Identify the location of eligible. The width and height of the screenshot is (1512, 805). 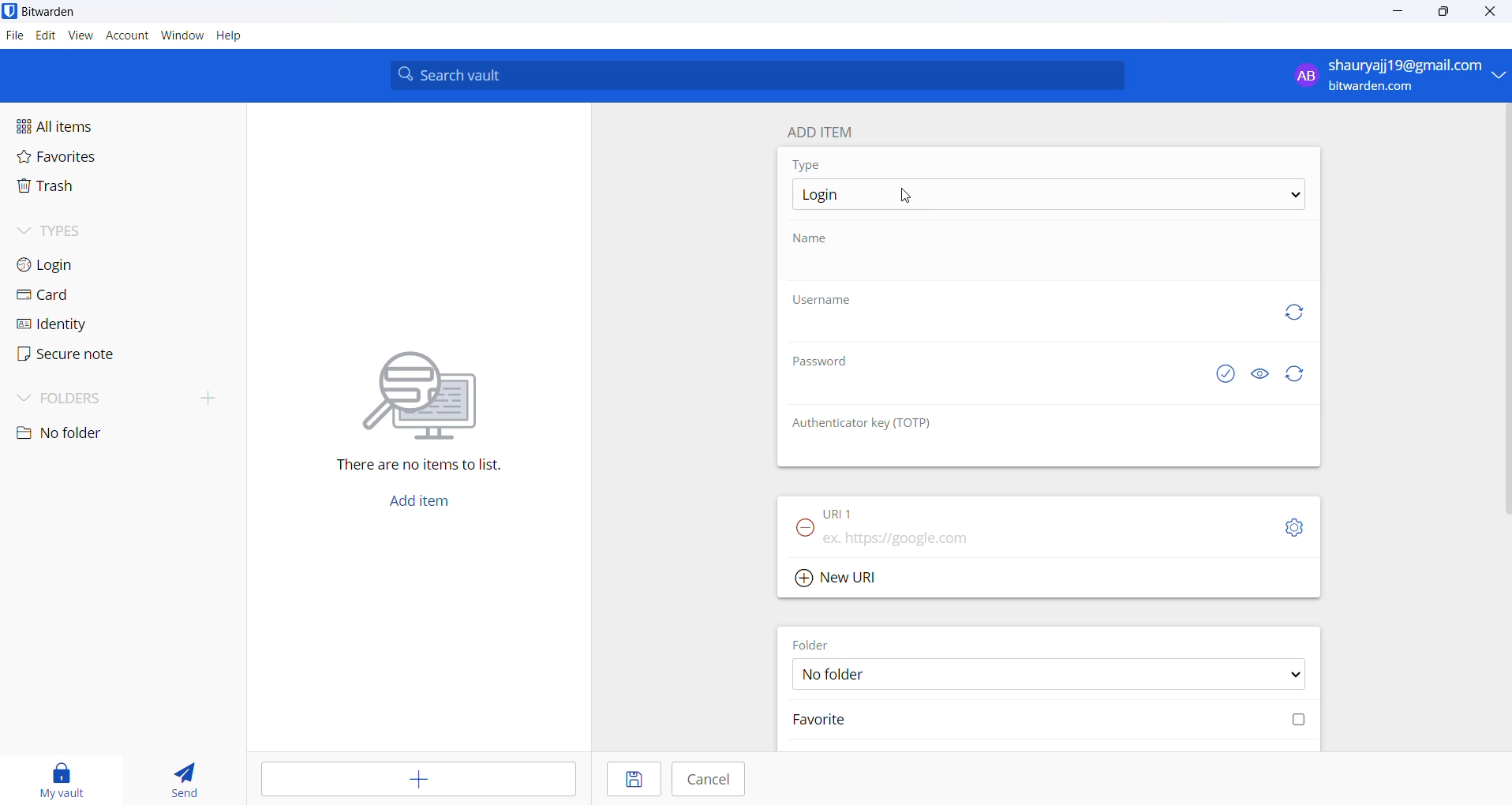
(1223, 374).